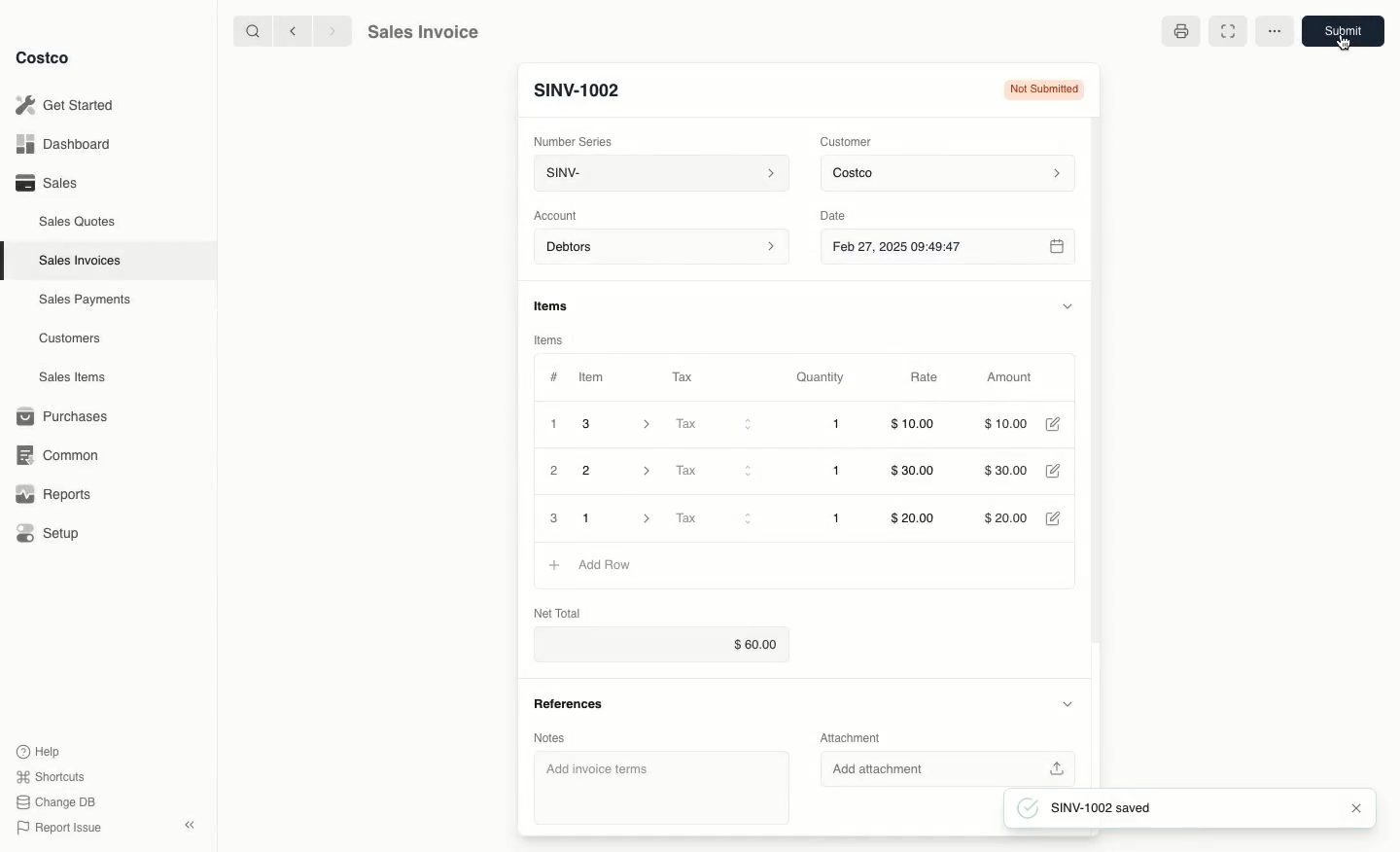 The width and height of the screenshot is (1400, 852). I want to click on Attachment, so click(856, 736).